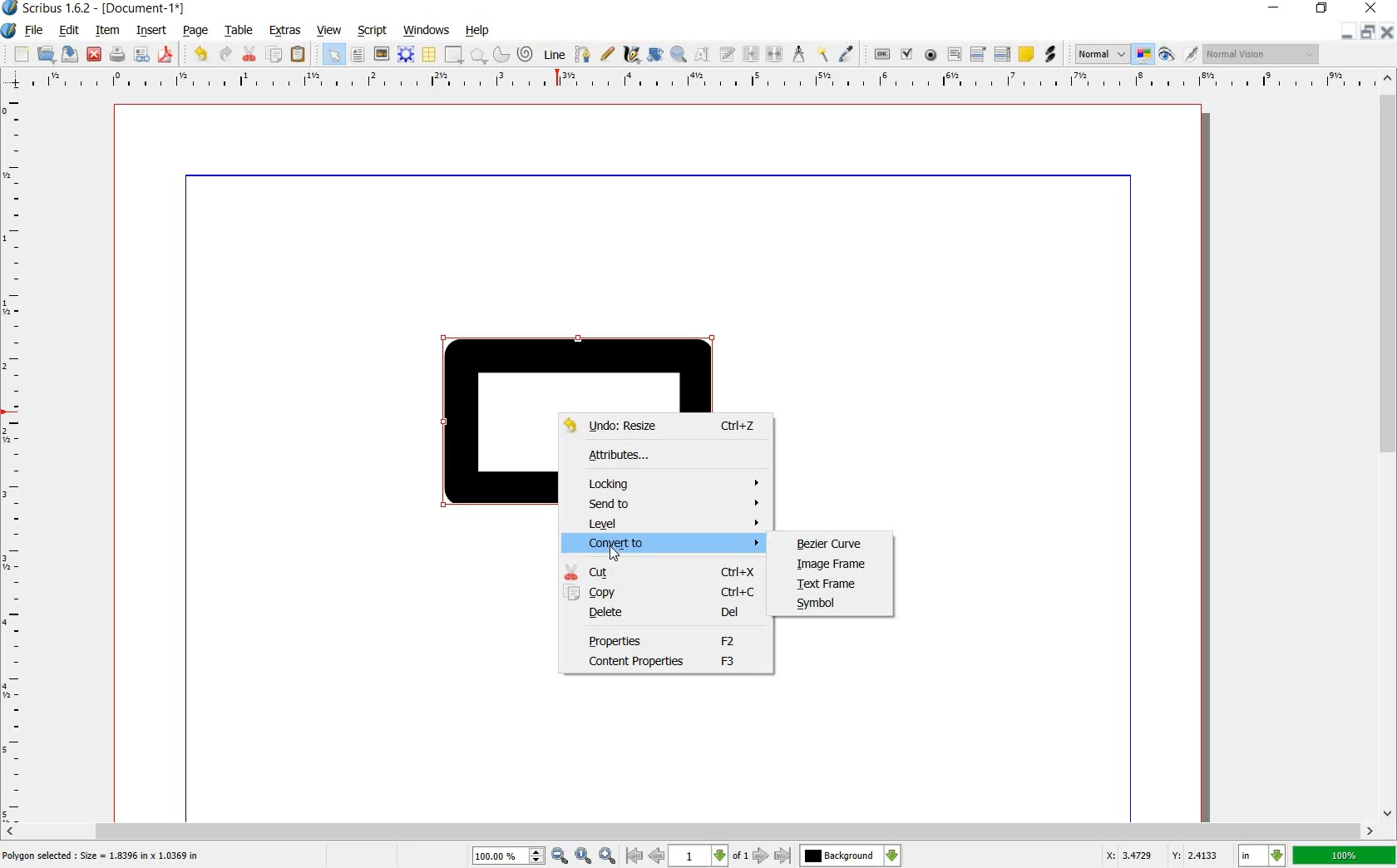 Image resolution: width=1397 pixels, height=868 pixels. What do you see at coordinates (689, 830) in the screenshot?
I see `scrollbar` at bounding box center [689, 830].